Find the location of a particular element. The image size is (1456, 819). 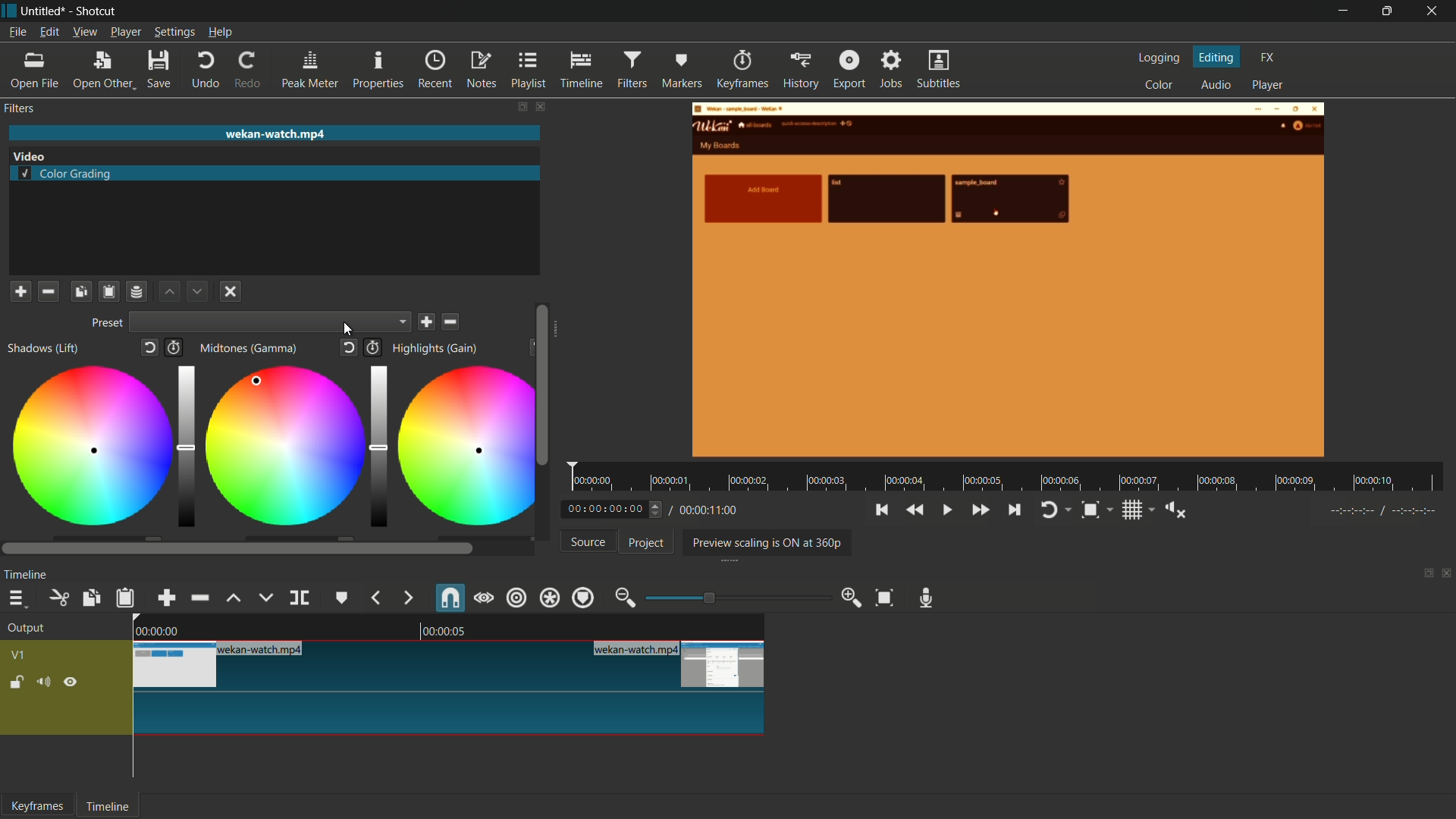

move filter up is located at coordinates (168, 292).